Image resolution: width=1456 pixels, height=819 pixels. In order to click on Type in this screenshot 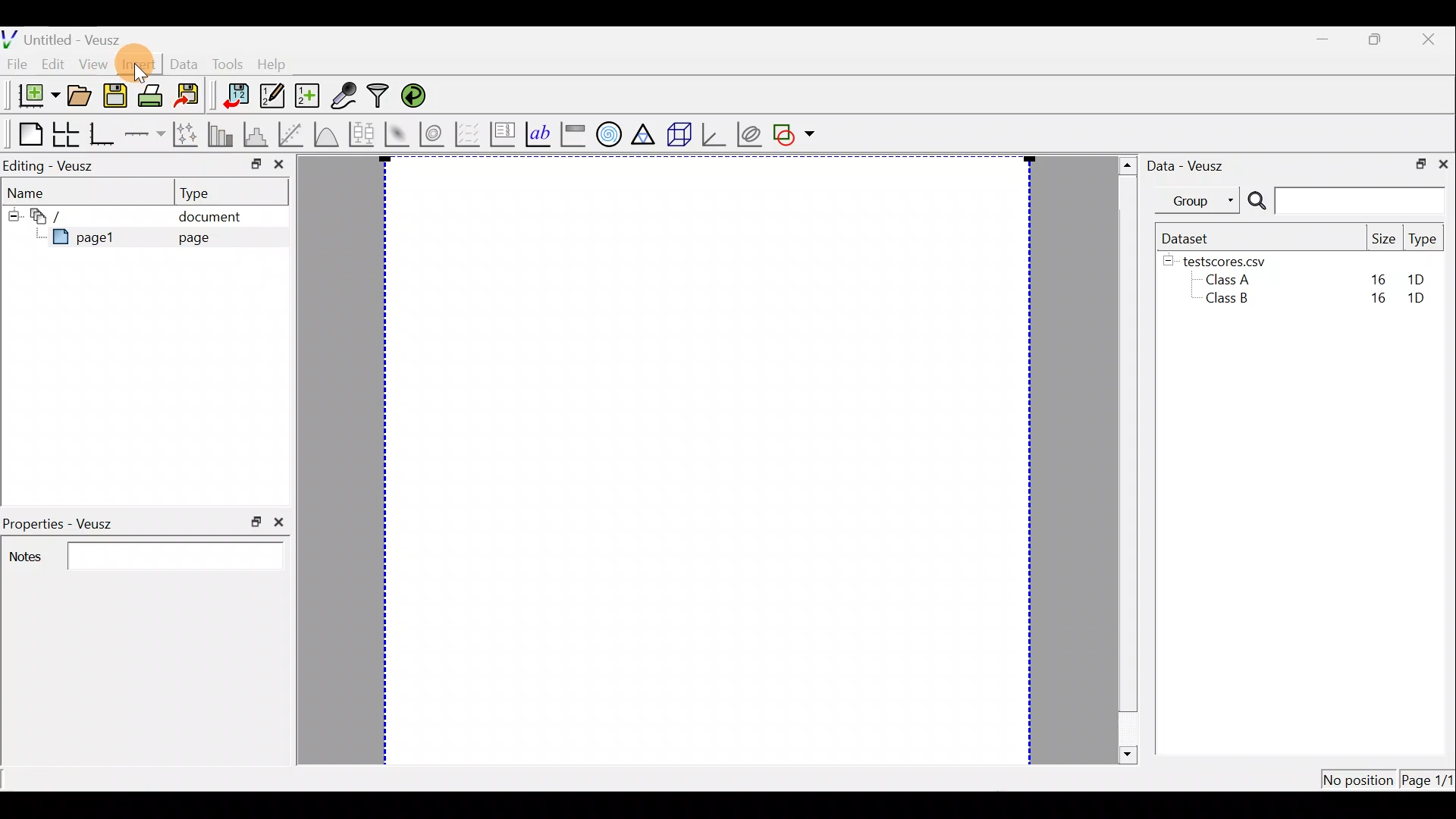, I will do `click(1423, 240)`.